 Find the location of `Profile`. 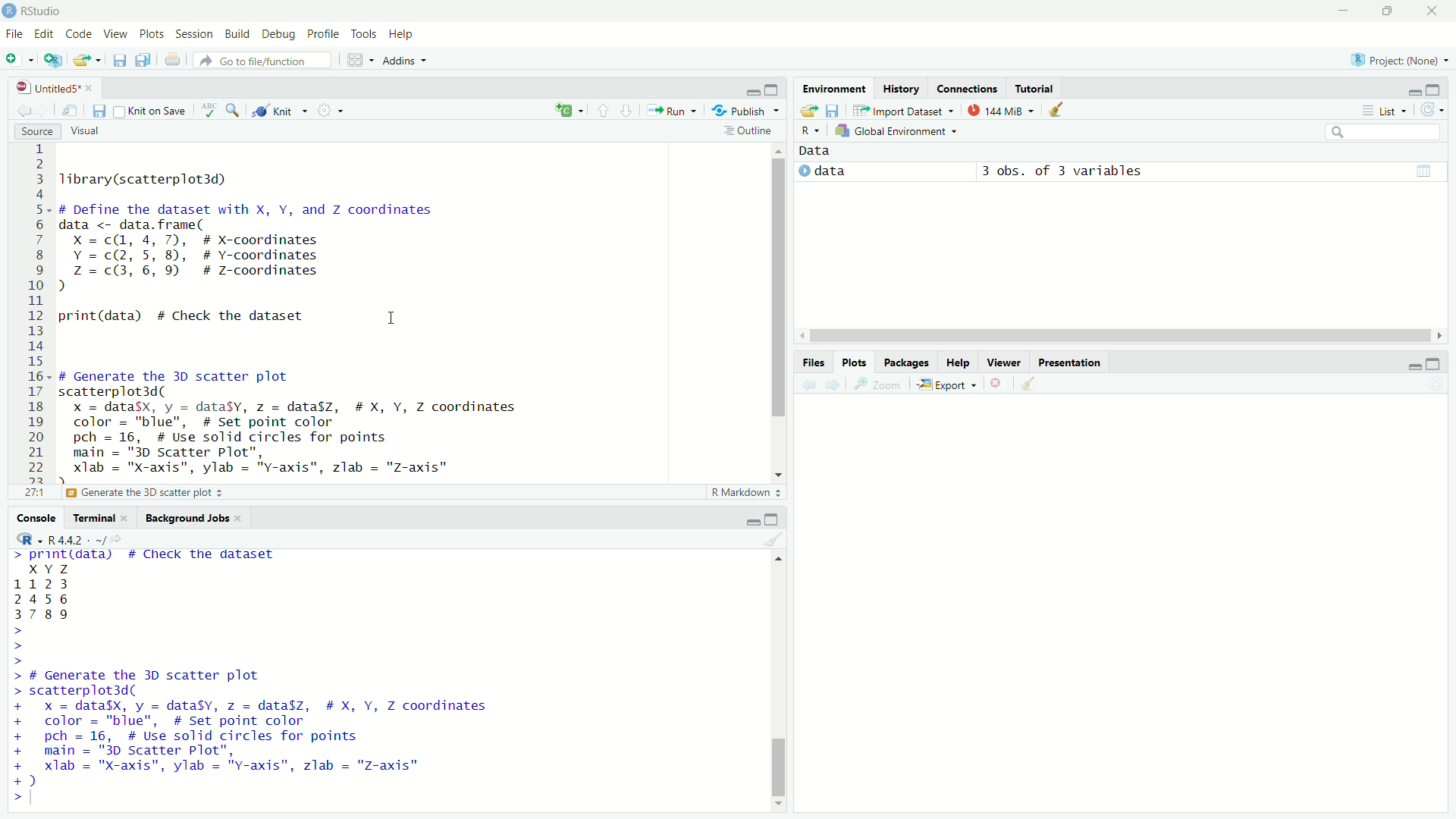

Profile is located at coordinates (322, 33).